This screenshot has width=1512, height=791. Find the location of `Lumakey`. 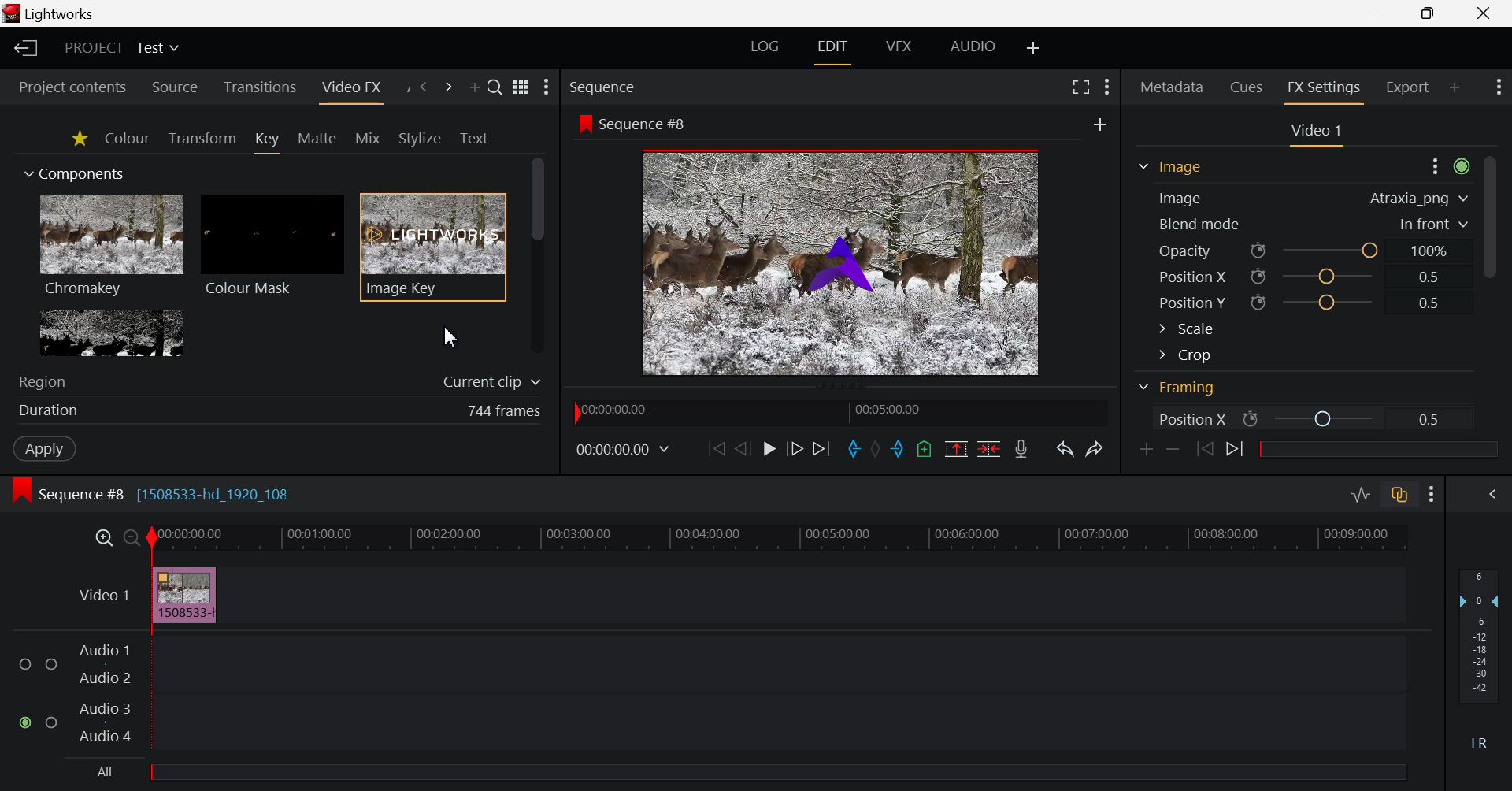

Lumakey is located at coordinates (110, 332).